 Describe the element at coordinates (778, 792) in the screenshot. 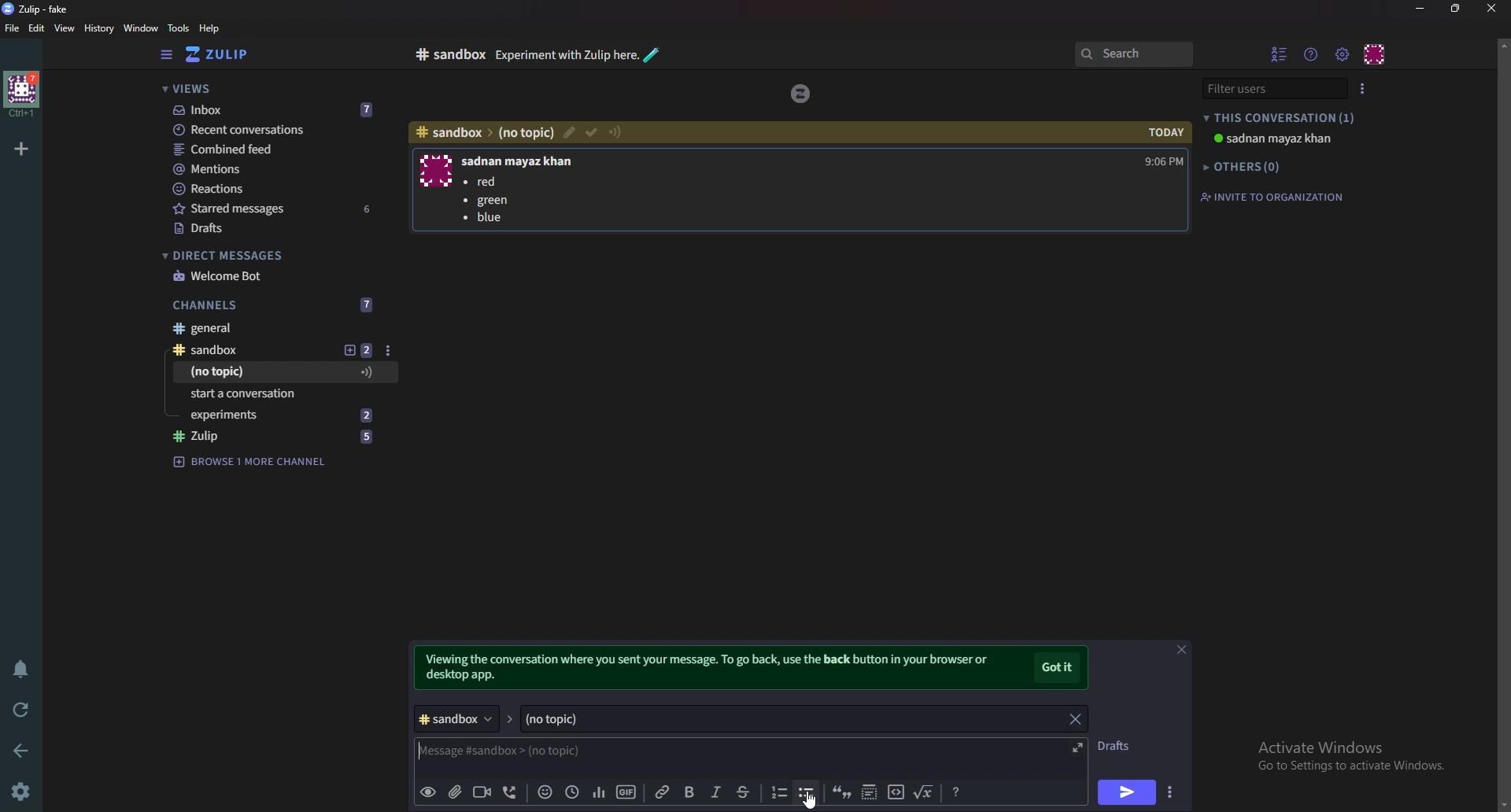

I see `Numbered list` at that location.